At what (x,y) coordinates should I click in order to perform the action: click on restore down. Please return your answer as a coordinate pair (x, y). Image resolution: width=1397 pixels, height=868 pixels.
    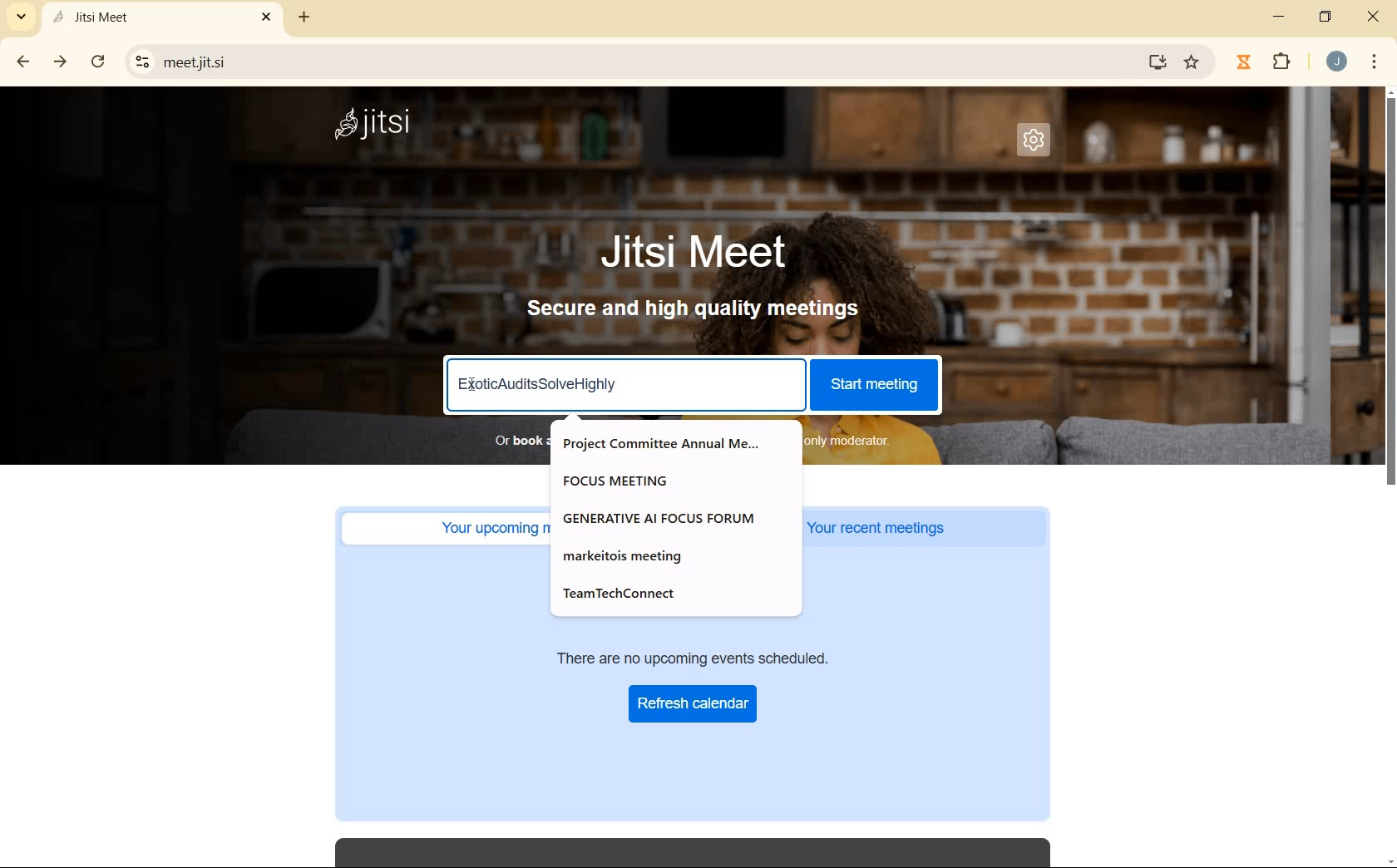
    Looking at the image, I should click on (1327, 18).